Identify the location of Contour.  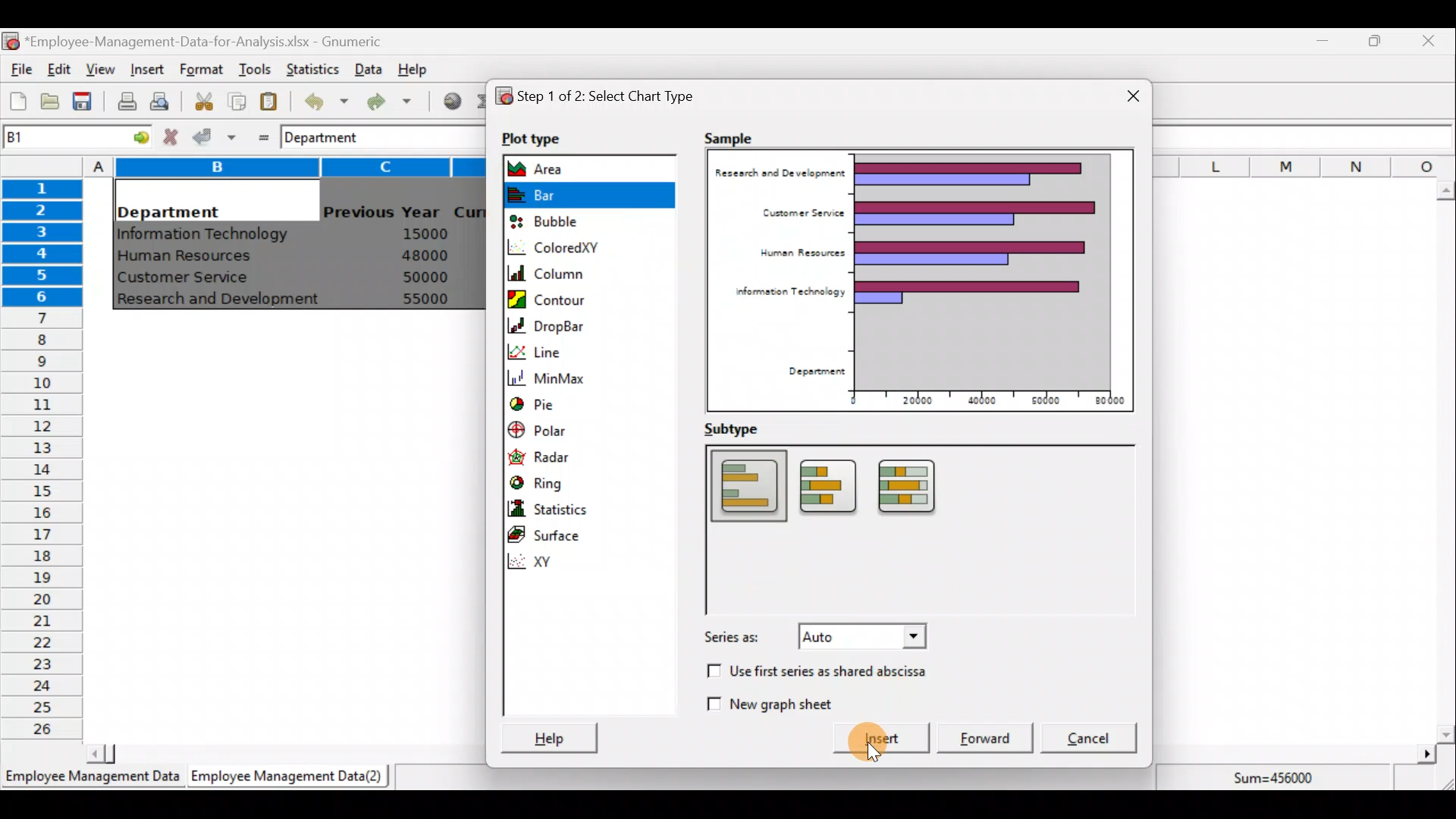
(559, 300).